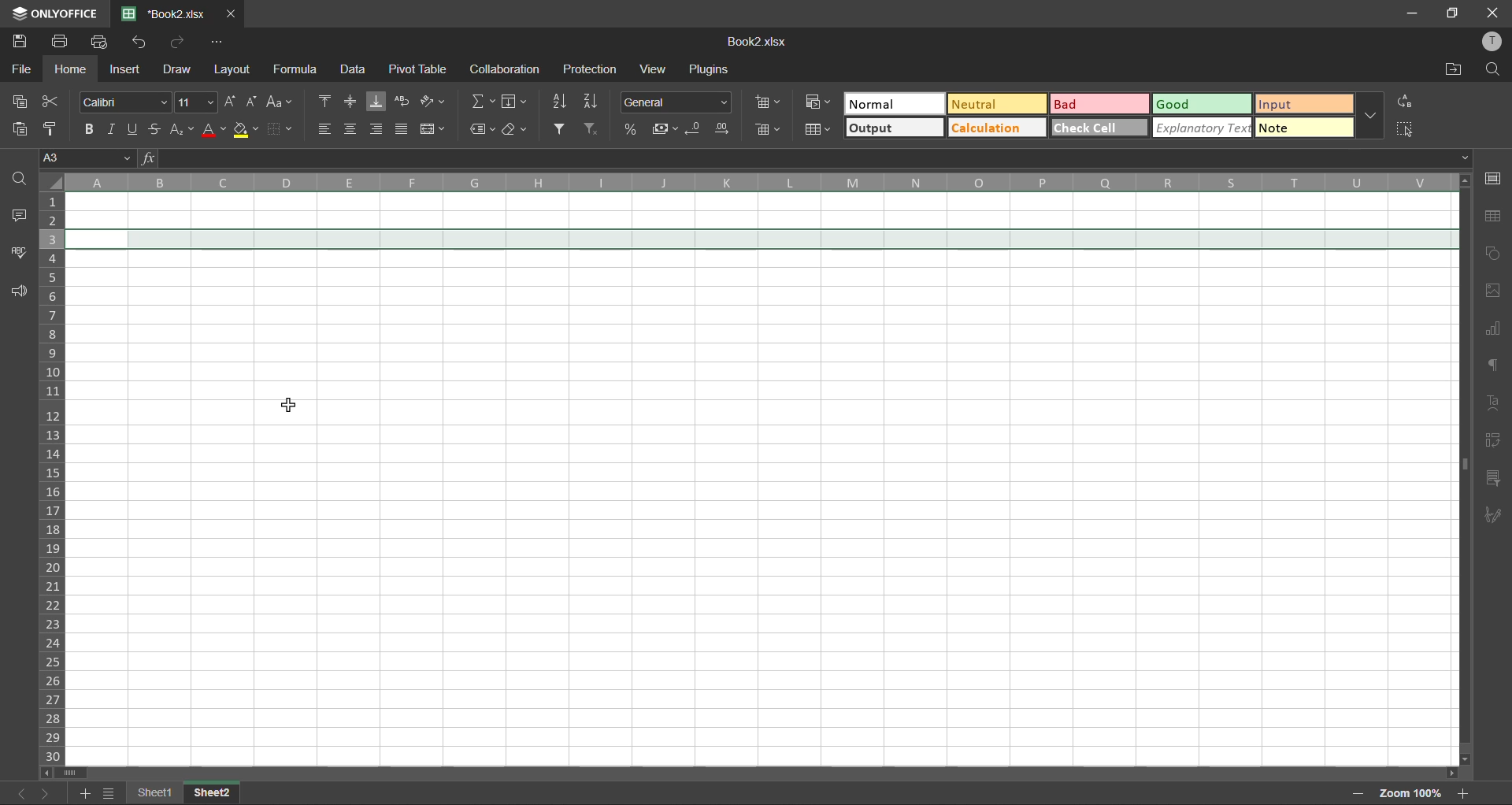 This screenshot has height=805, width=1512. Describe the element at coordinates (1000, 127) in the screenshot. I see `calculation` at that location.